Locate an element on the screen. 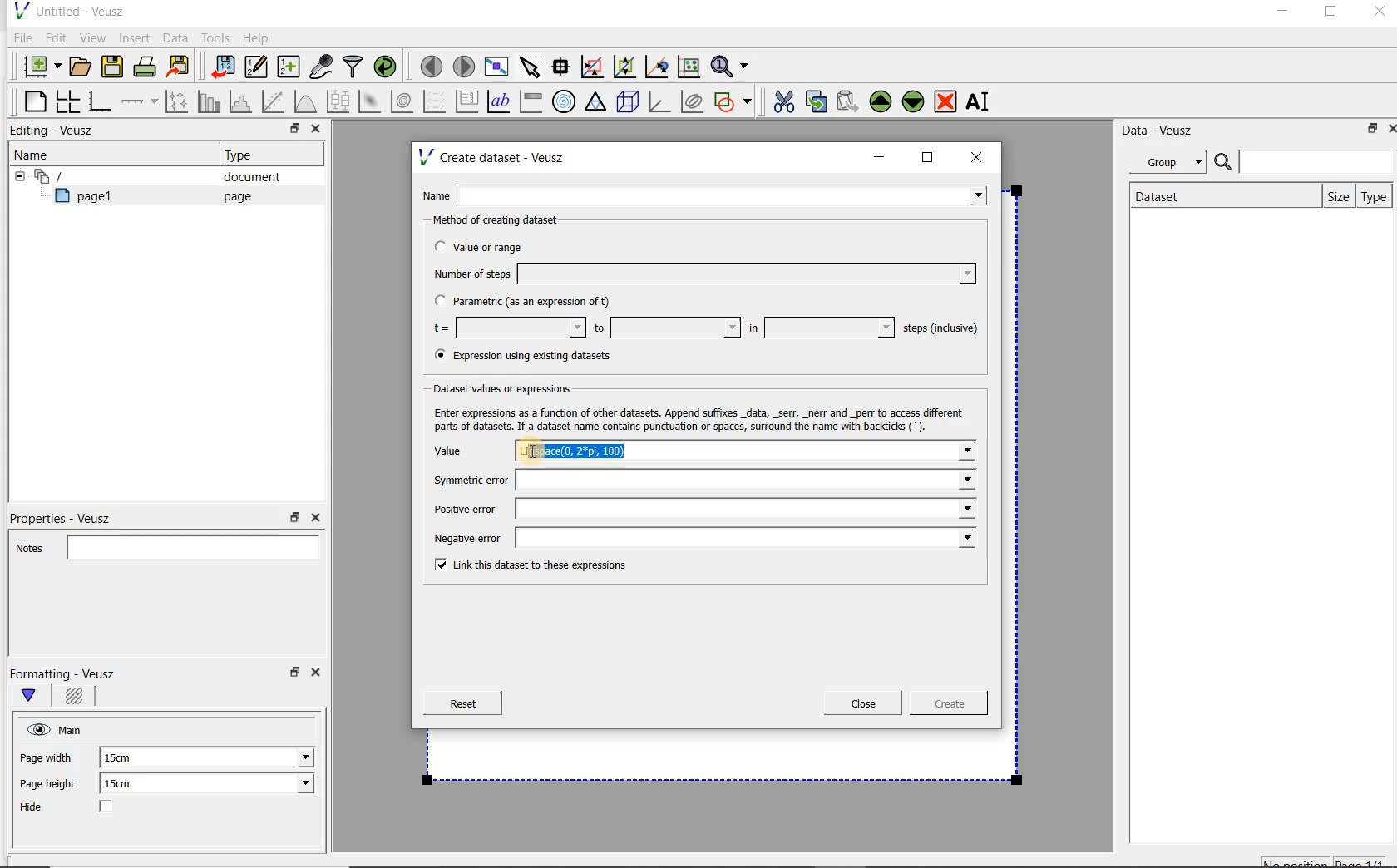 This screenshot has height=868, width=1397. select items from the graph or scroll is located at coordinates (529, 65).